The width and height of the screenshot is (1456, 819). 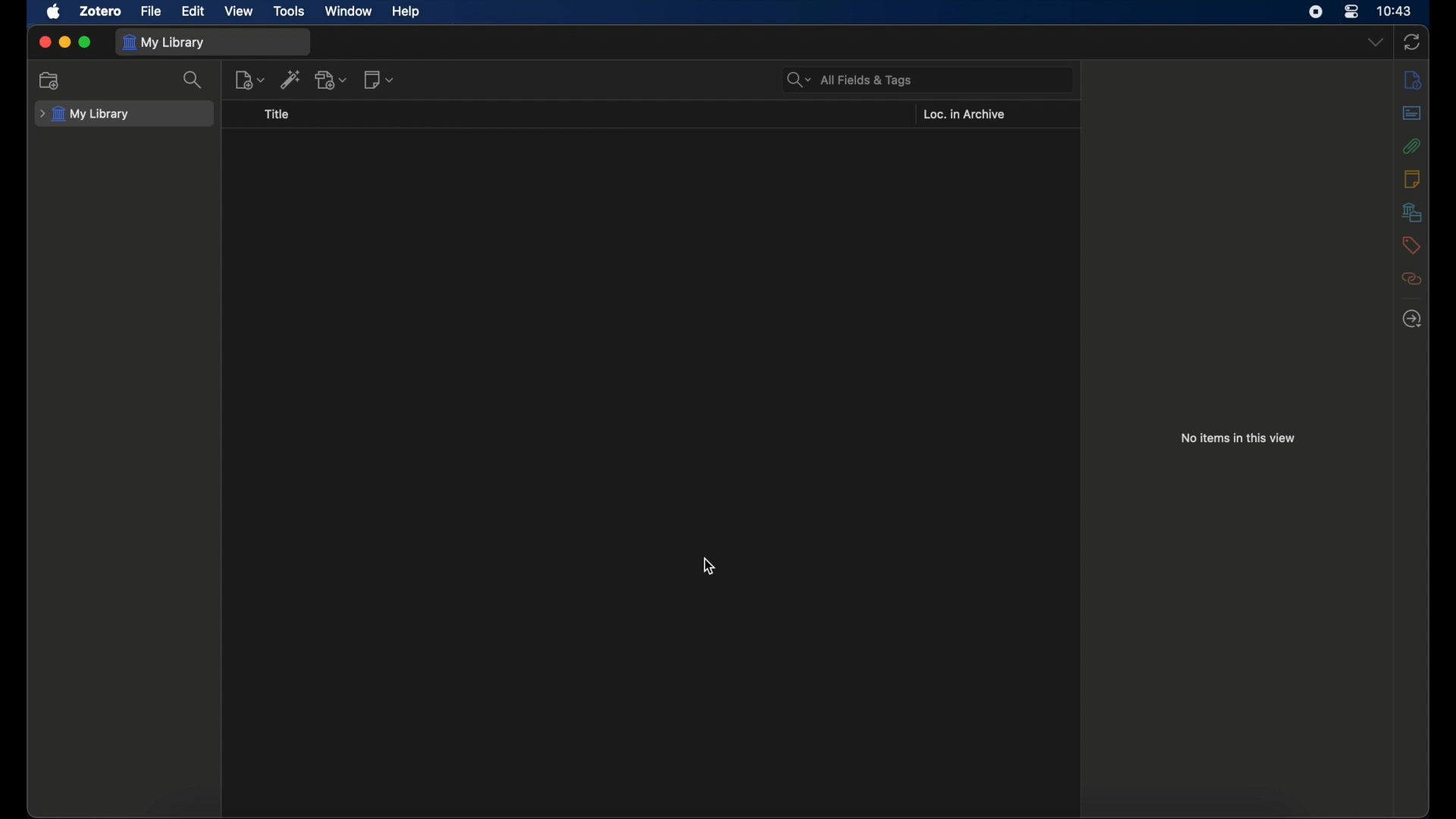 I want to click on all fields & tags, so click(x=851, y=79).